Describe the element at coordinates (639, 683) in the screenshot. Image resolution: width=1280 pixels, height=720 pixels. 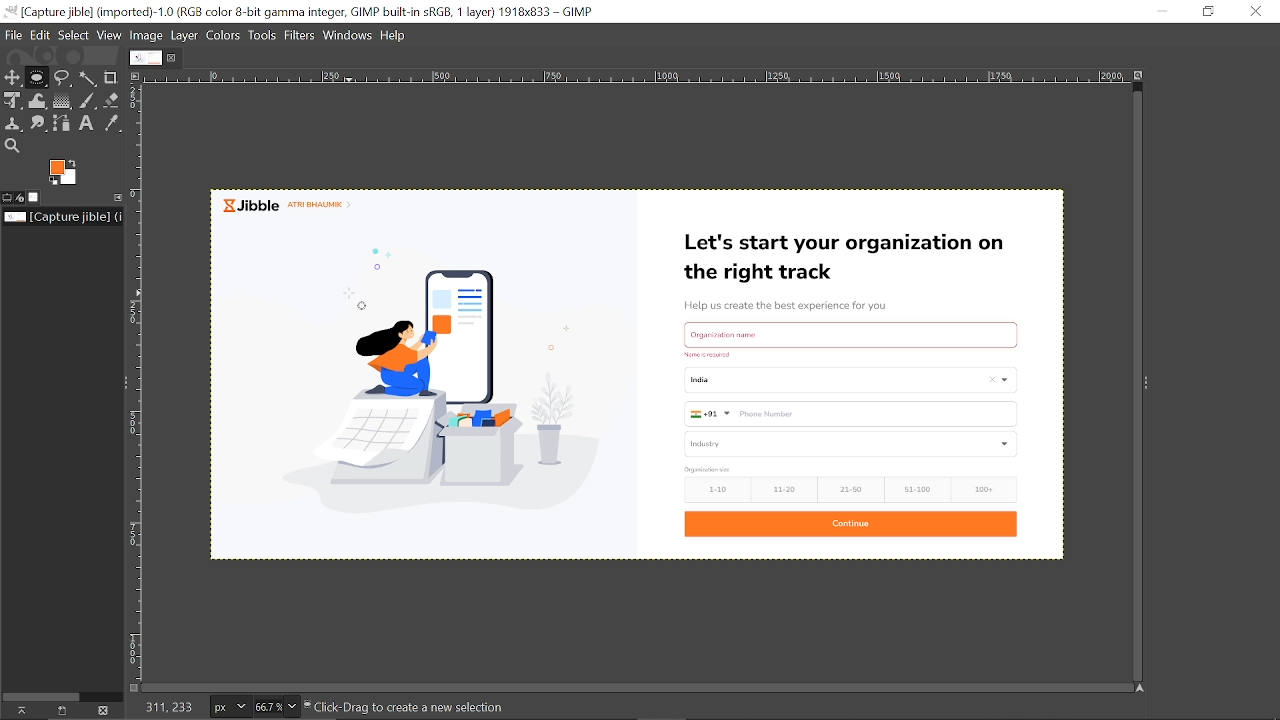
I see `horizontal scroll bar` at that location.